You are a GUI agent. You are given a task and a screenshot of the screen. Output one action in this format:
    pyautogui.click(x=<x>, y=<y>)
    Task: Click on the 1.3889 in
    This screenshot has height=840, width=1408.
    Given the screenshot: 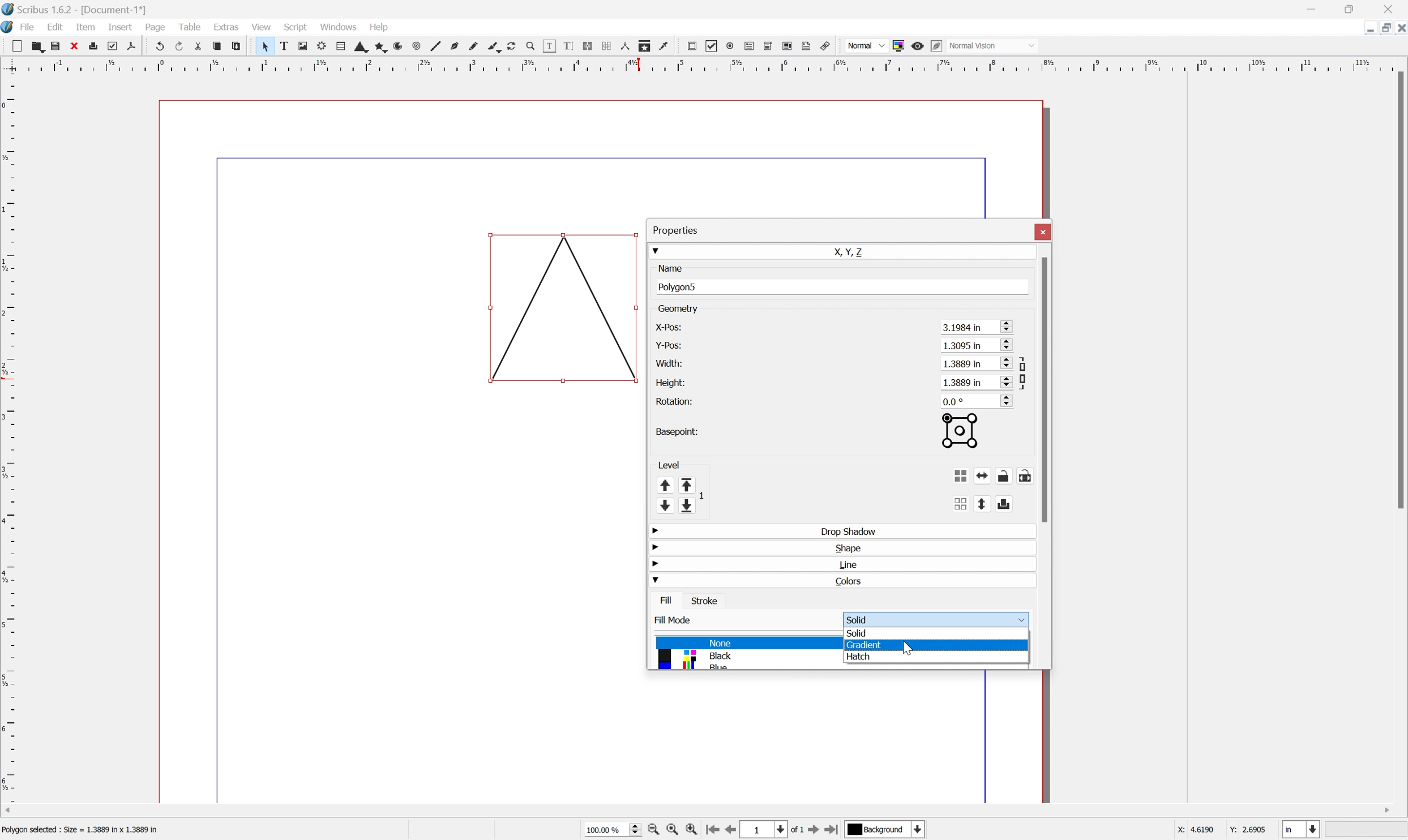 What is the action you would take?
    pyautogui.click(x=977, y=382)
    